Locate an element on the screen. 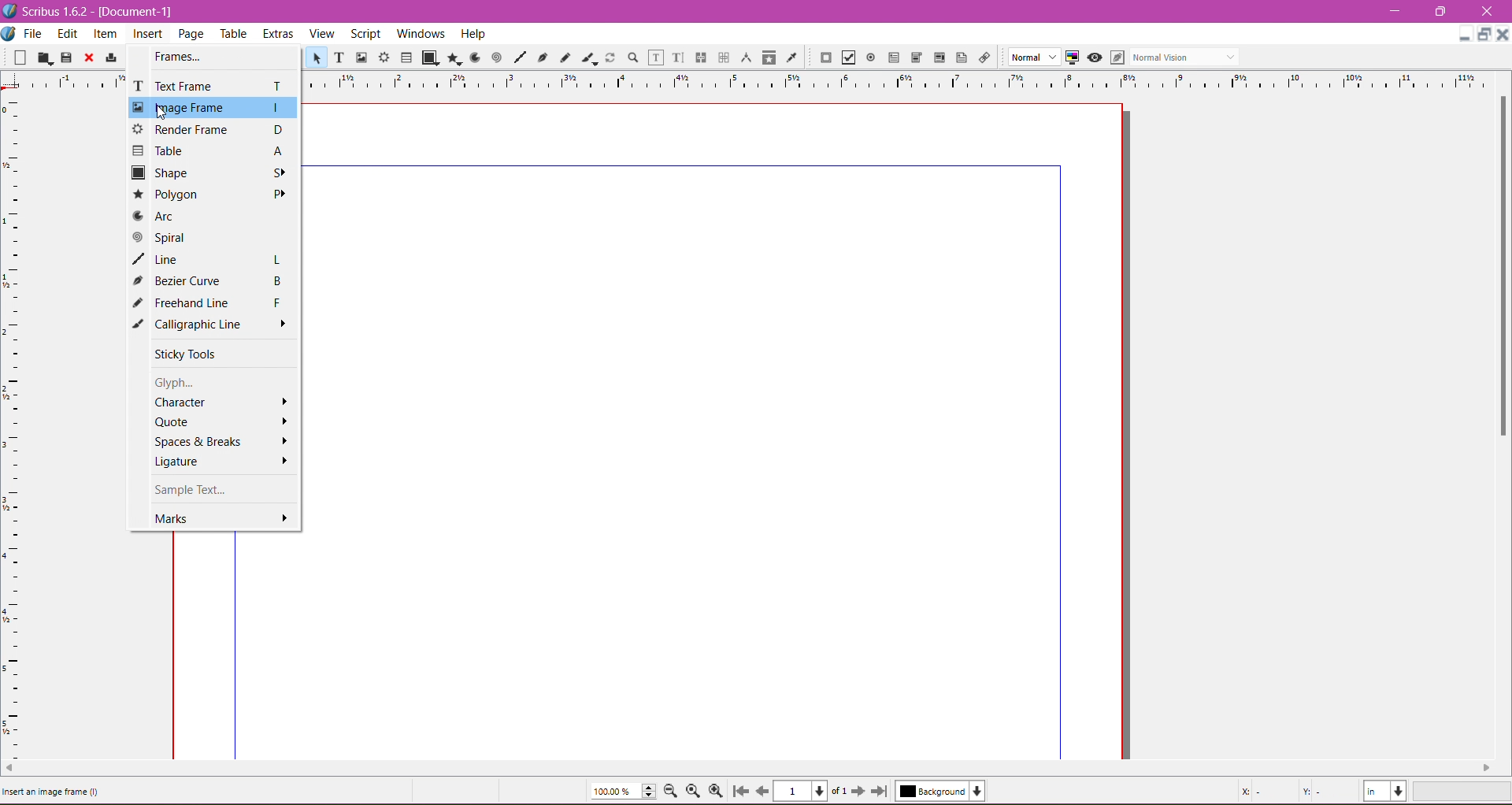 The width and height of the screenshot is (1512, 805). Polygon is located at coordinates (454, 59).